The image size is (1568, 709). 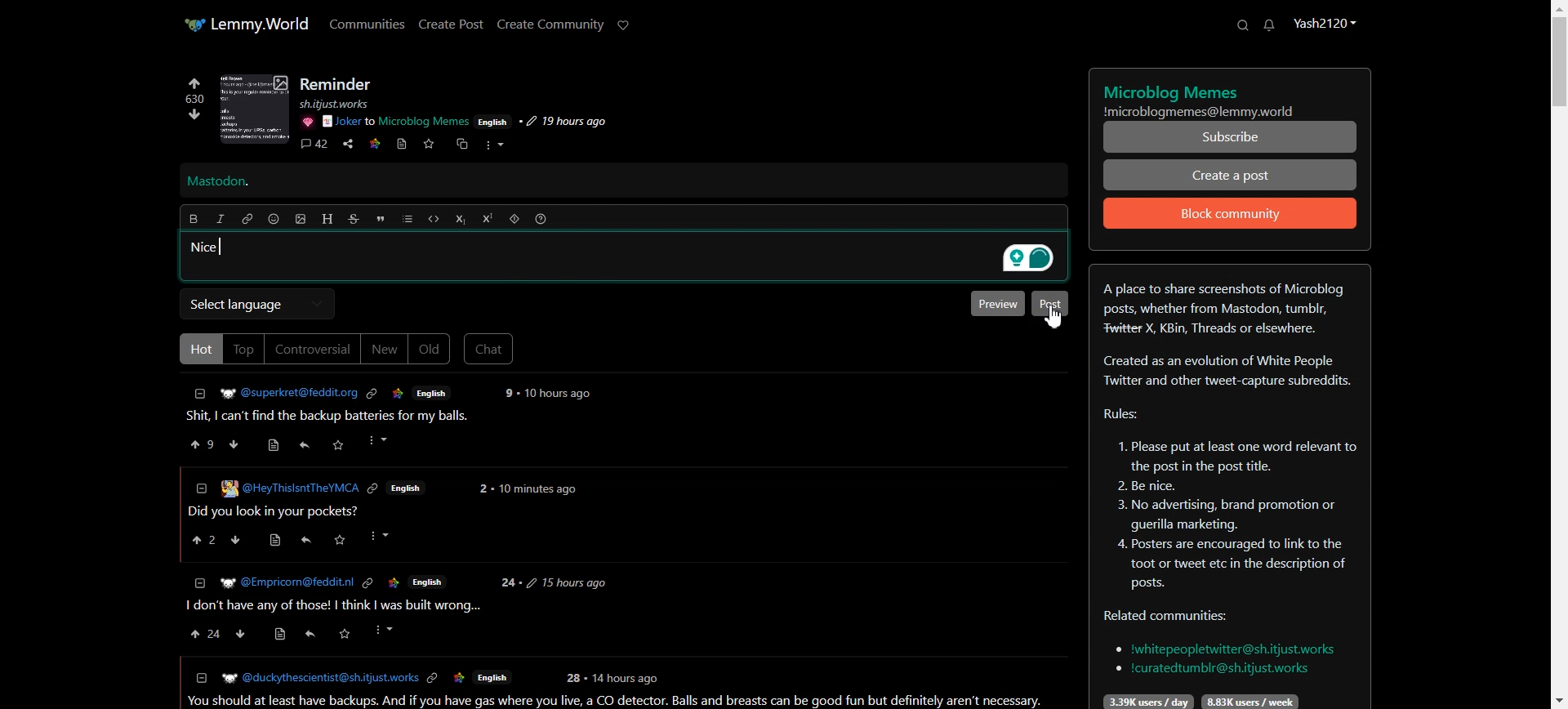 I want to click on , so click(x=562, y=122).